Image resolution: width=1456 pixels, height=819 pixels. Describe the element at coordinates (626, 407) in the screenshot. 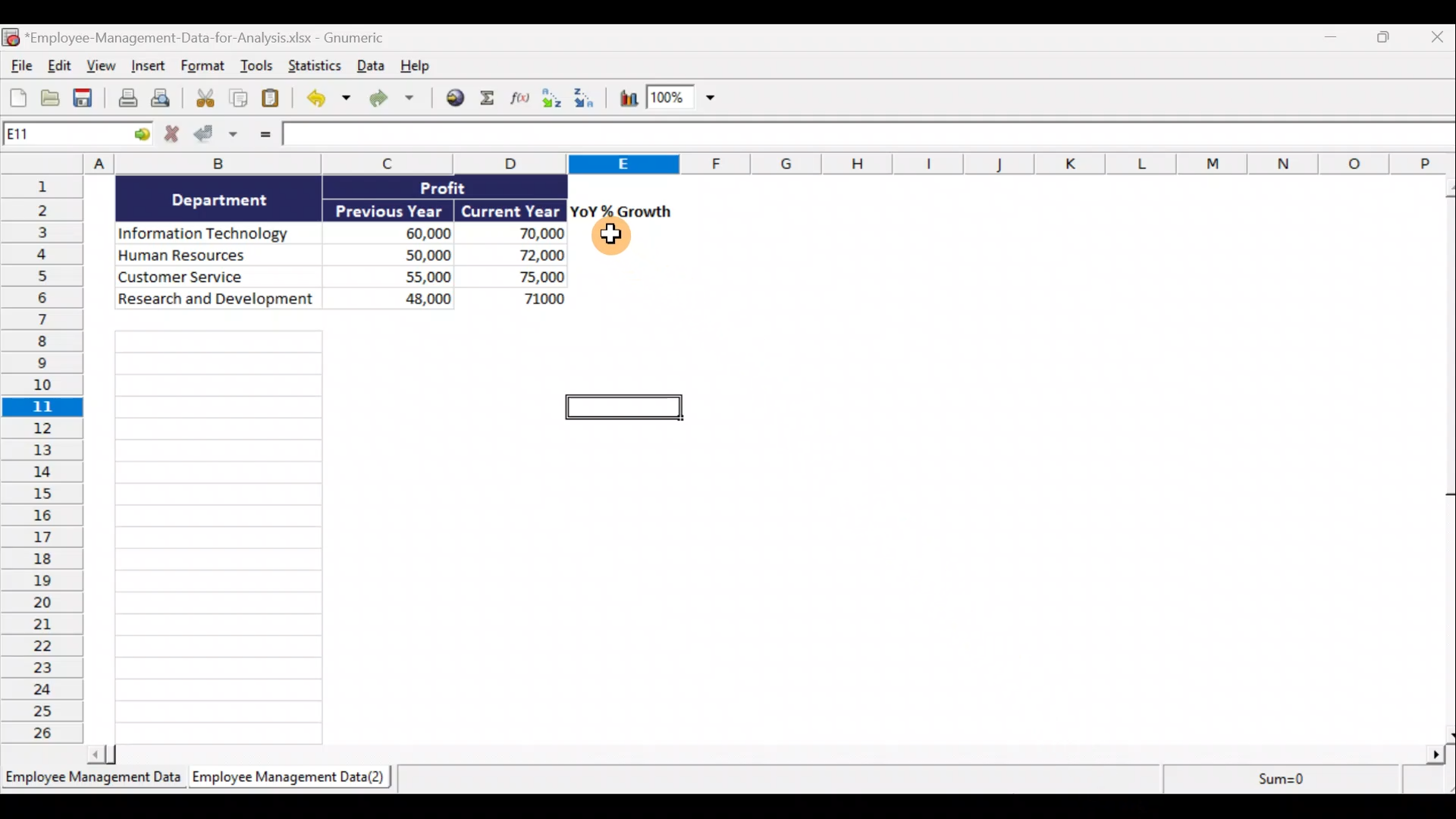

I see `selected cell` at that location.